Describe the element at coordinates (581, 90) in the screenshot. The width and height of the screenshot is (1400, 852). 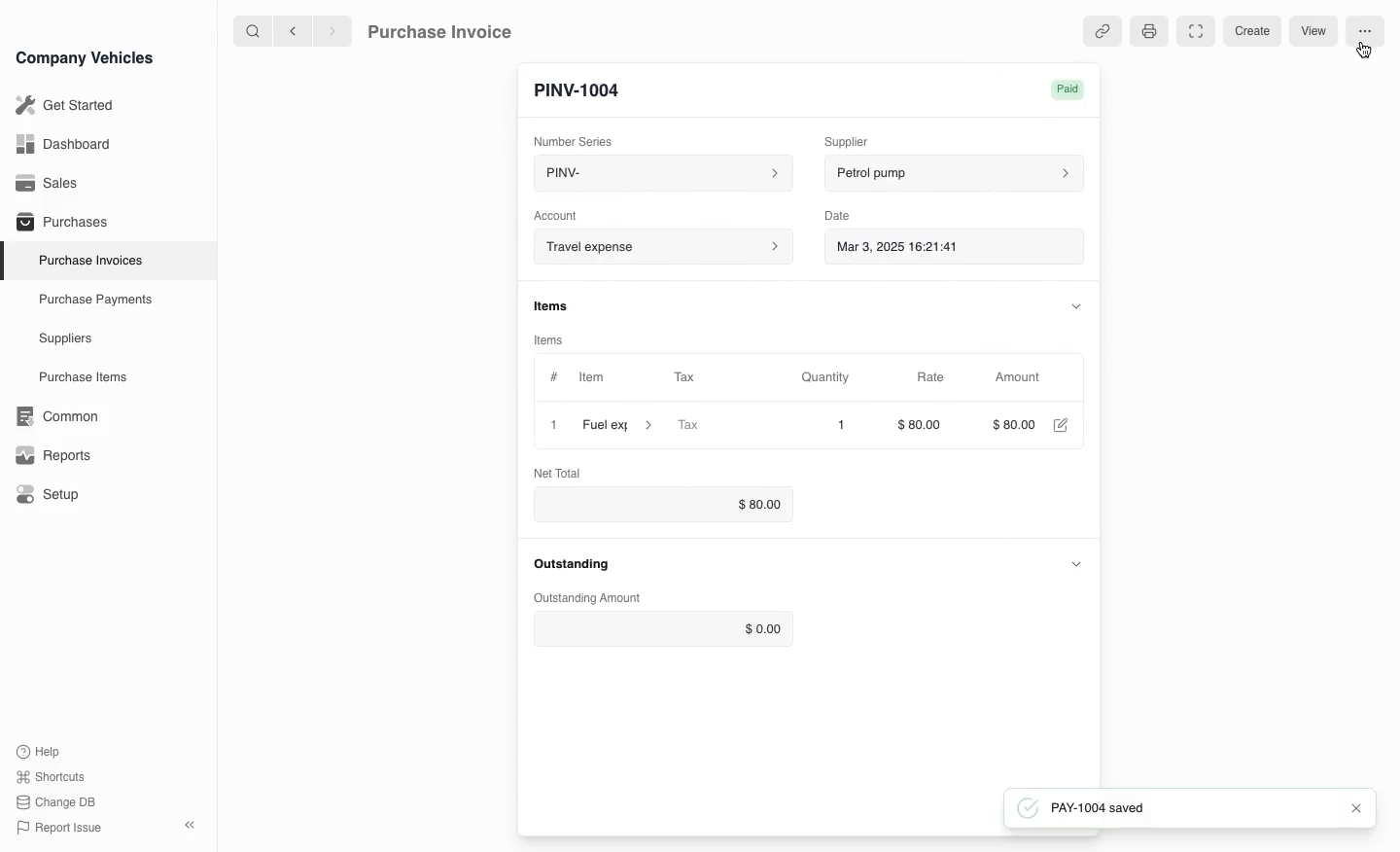
I see `New Entry` at that location.